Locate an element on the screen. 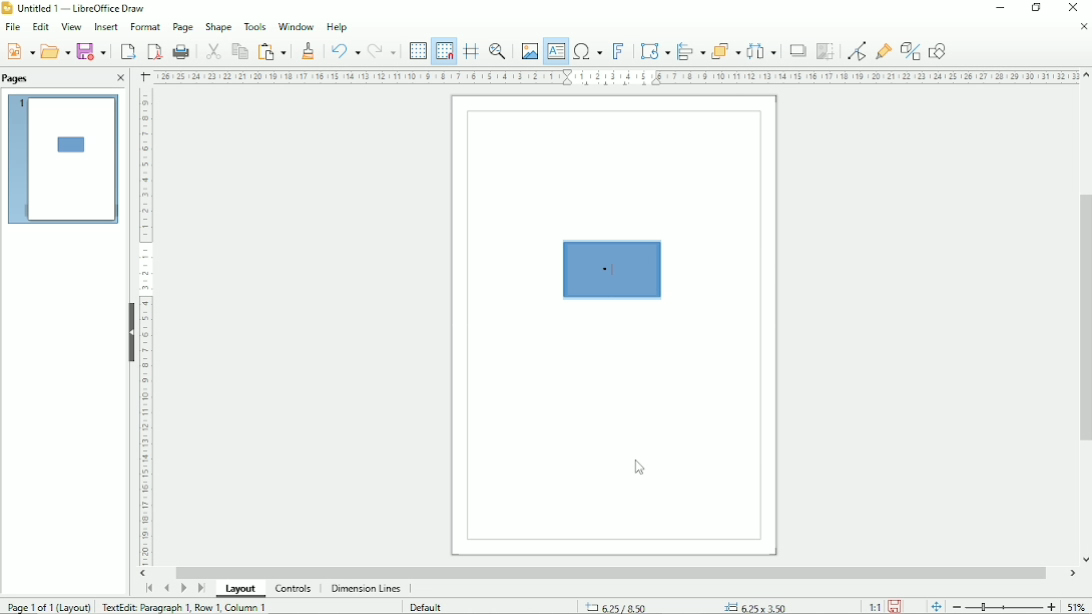  Edit is located at coordinates (42, 26).